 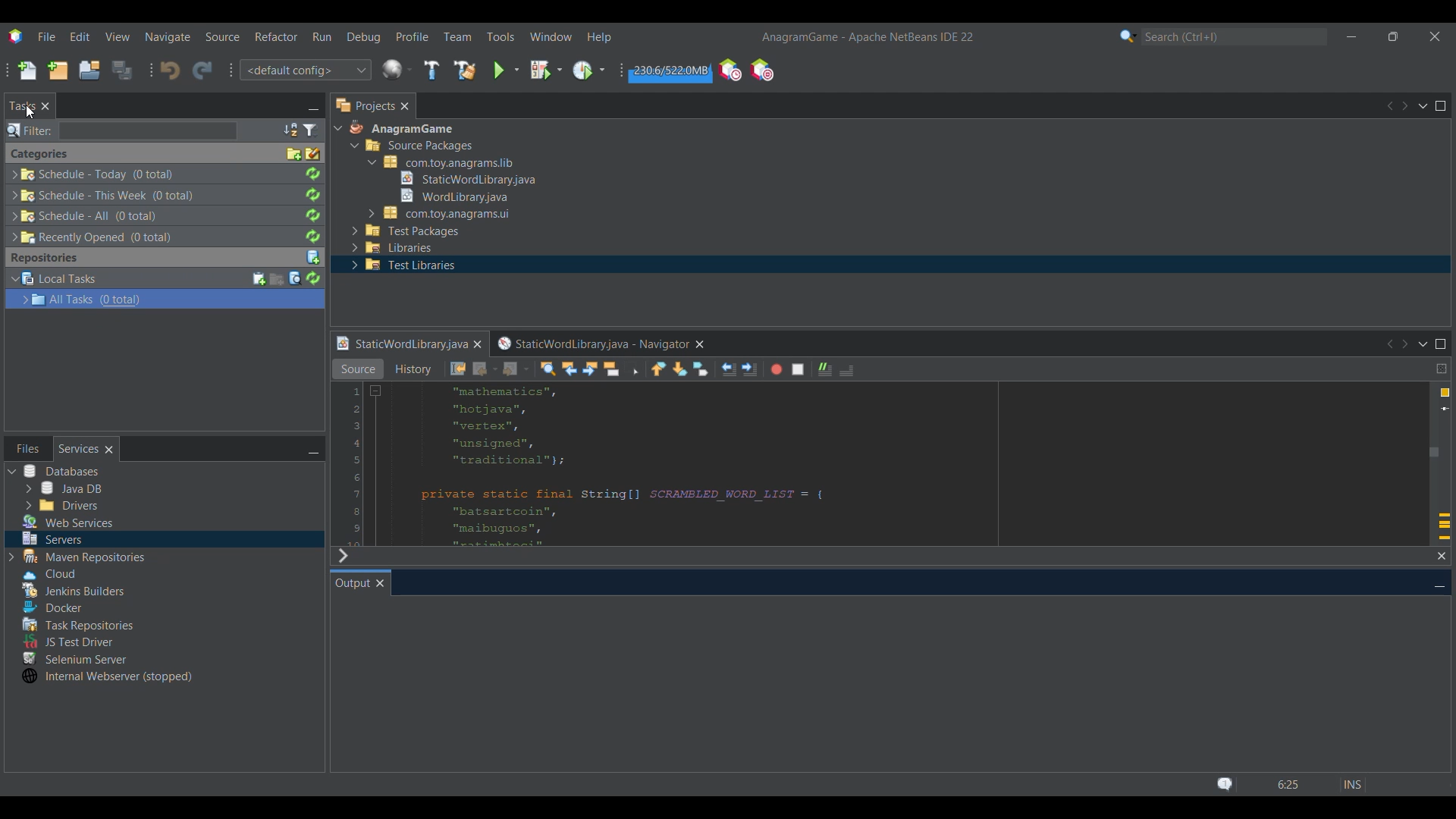 What do you see at coordinates (632, 369) in the screenshot?
I see `Toggle rectangular selection` at bounding box center [632, 369].